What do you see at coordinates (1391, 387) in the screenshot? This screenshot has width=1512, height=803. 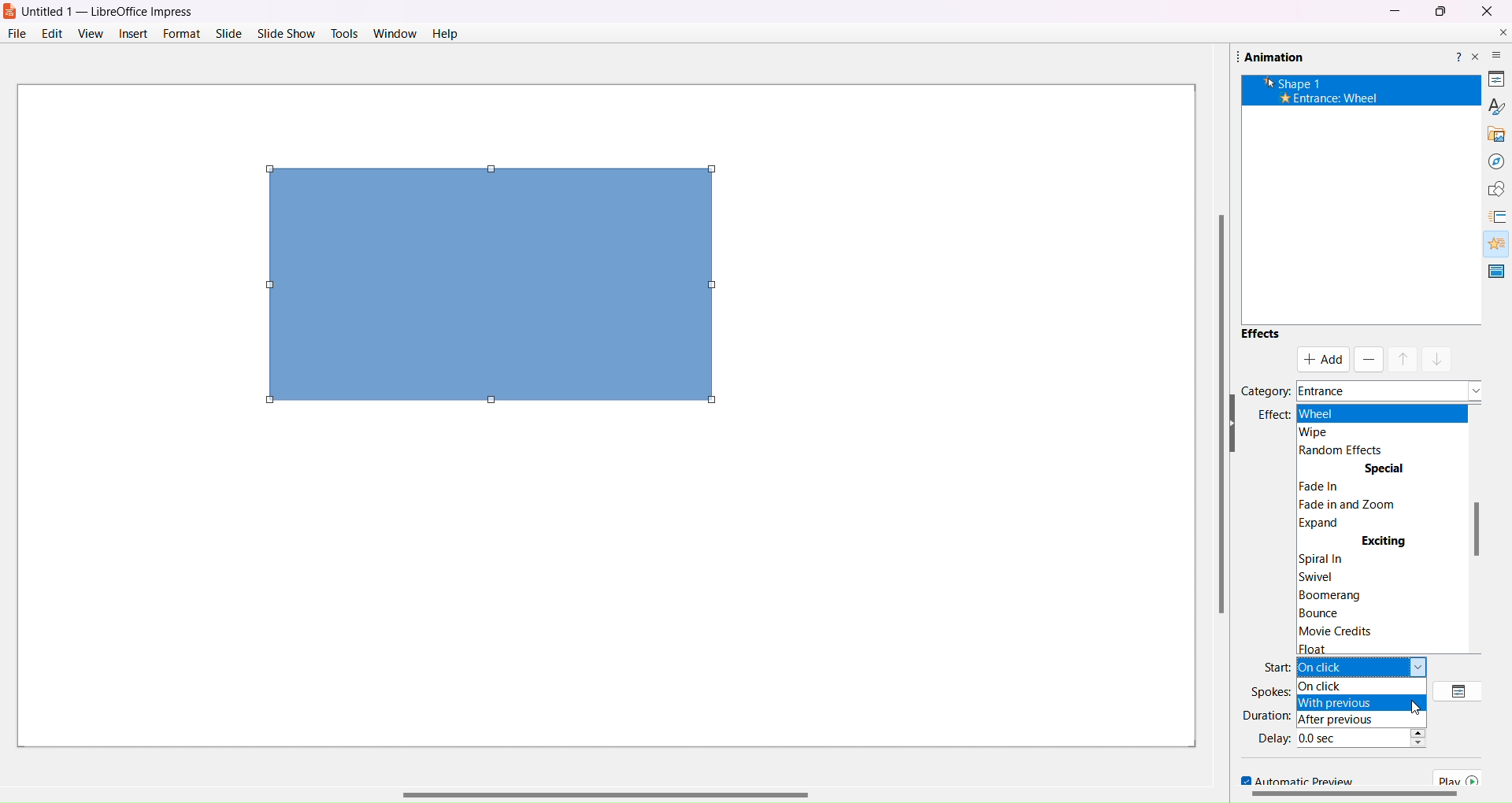 I see `Names of Category` at bounding box center [1391, 387].